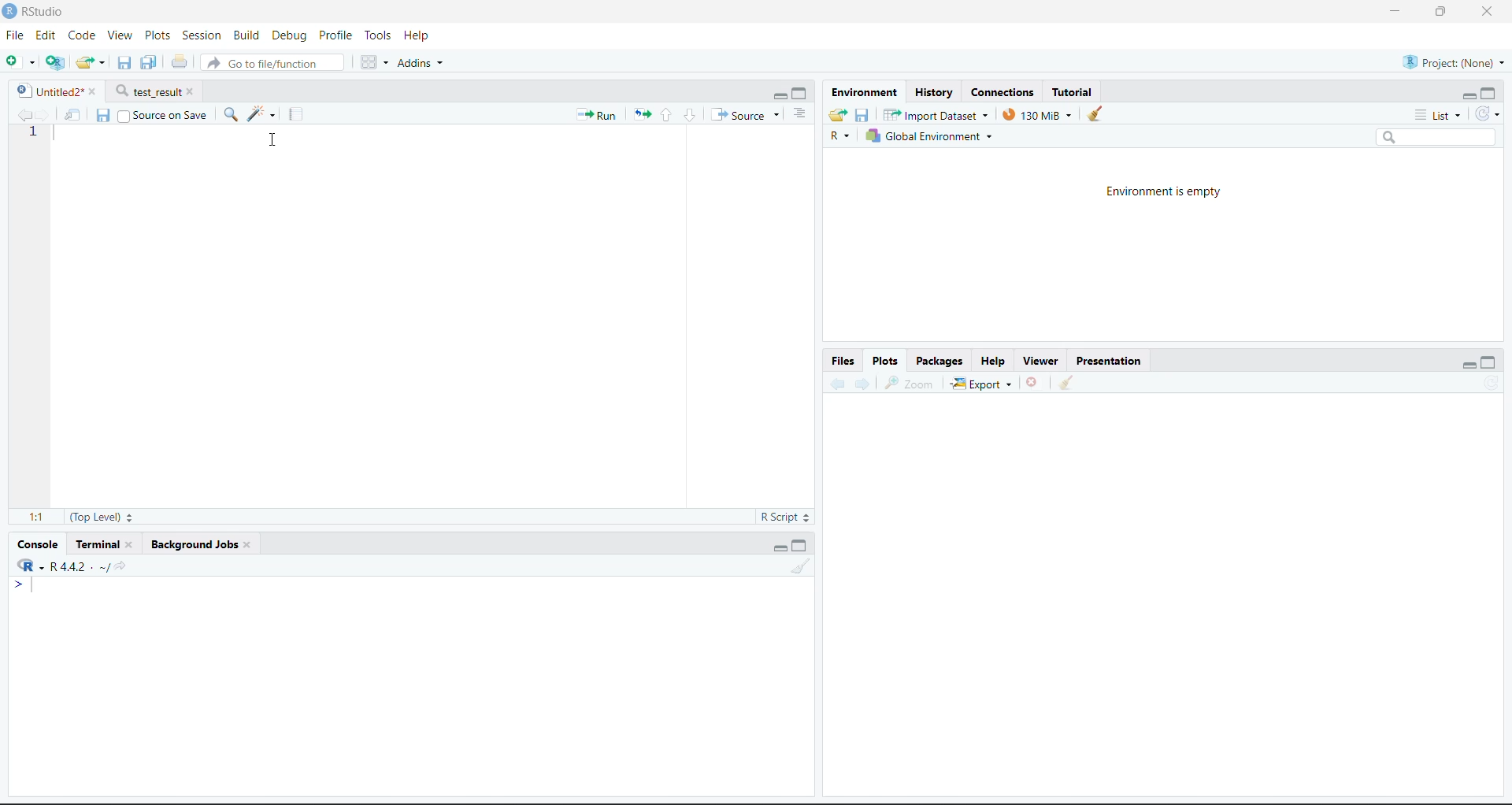  Describe the element at coordinates (1097, 114) in the screenshot. I see `Clear console (Ctrl +L)` at that location.